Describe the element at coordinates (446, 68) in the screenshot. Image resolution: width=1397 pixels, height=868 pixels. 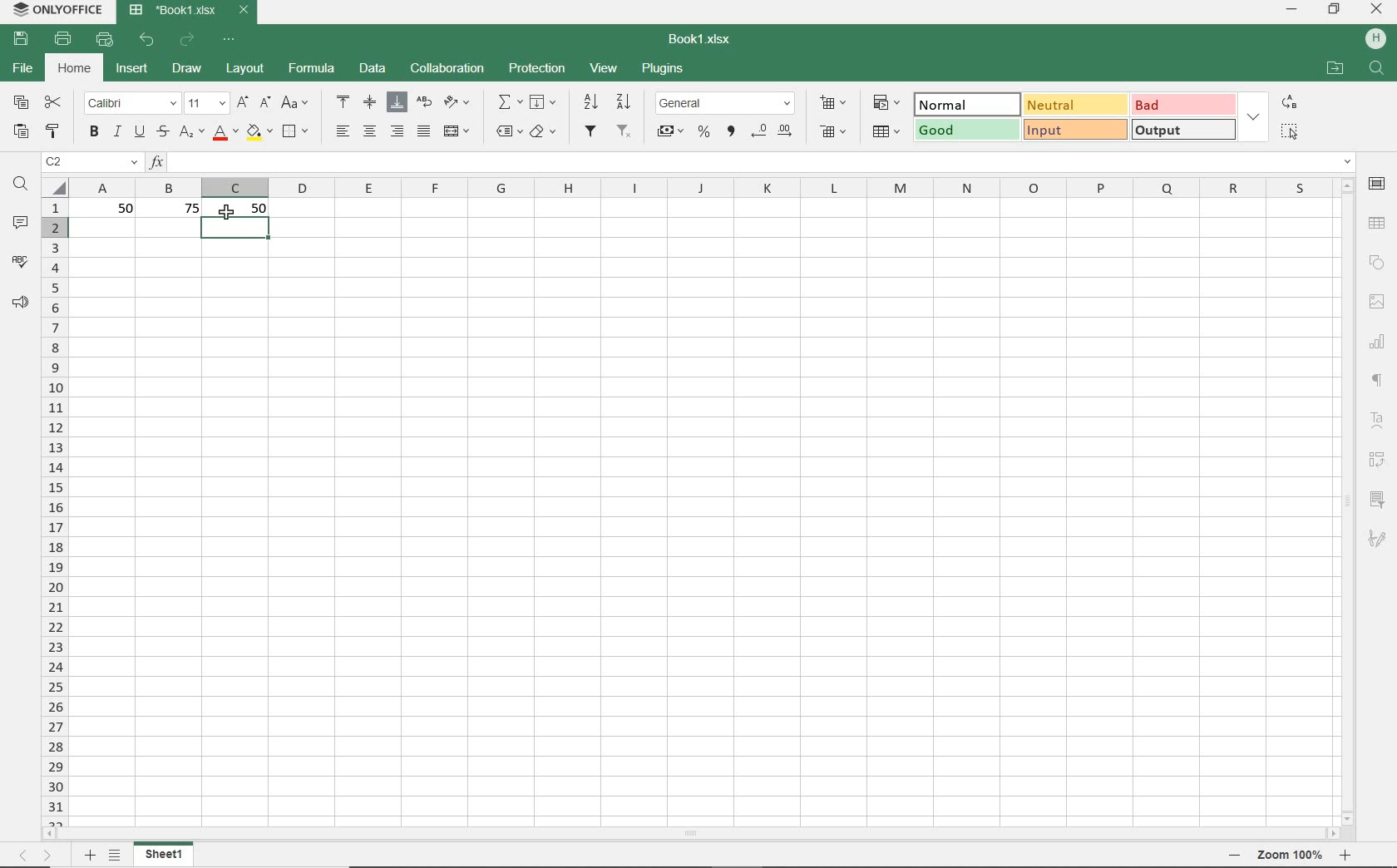
I see `collaboration` at that location.